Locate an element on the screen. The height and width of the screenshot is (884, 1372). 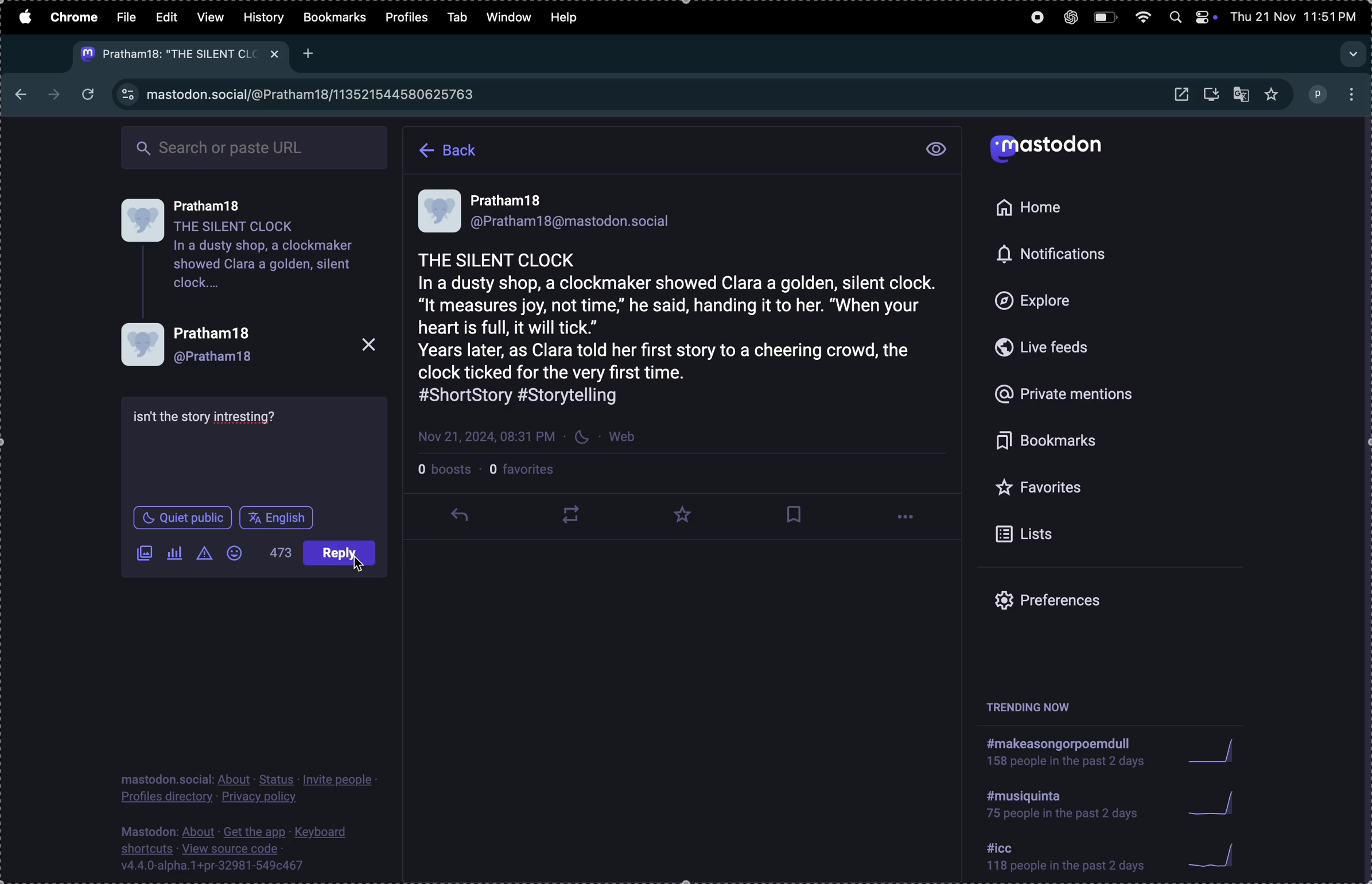
profile is located at coordinates (409, 18).